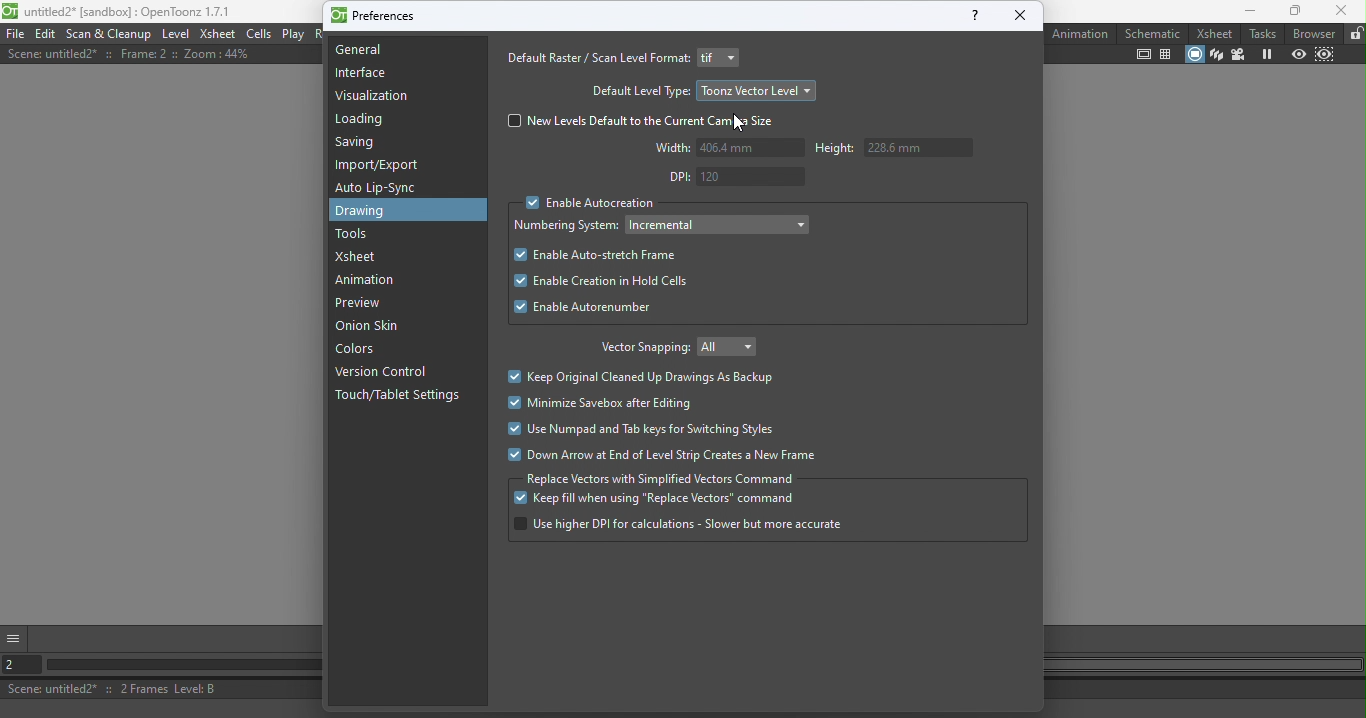 The height and width of the screenshot is (718, 1366). Describe the element at coordinates (355, 234) in the screenshot. I see `Tools` at that location.